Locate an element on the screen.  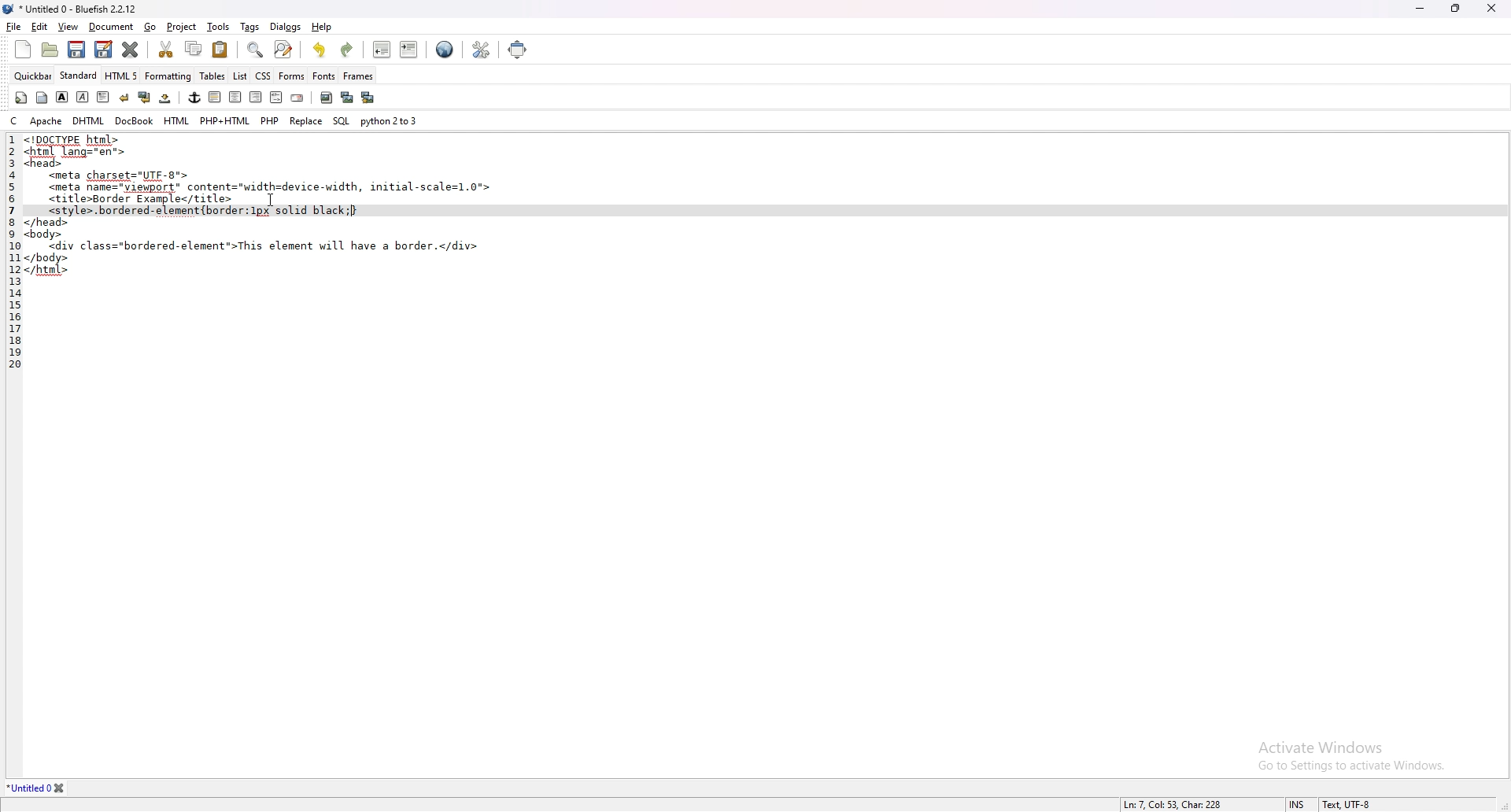
insert thumbnail is located at coordinates (347, 98).